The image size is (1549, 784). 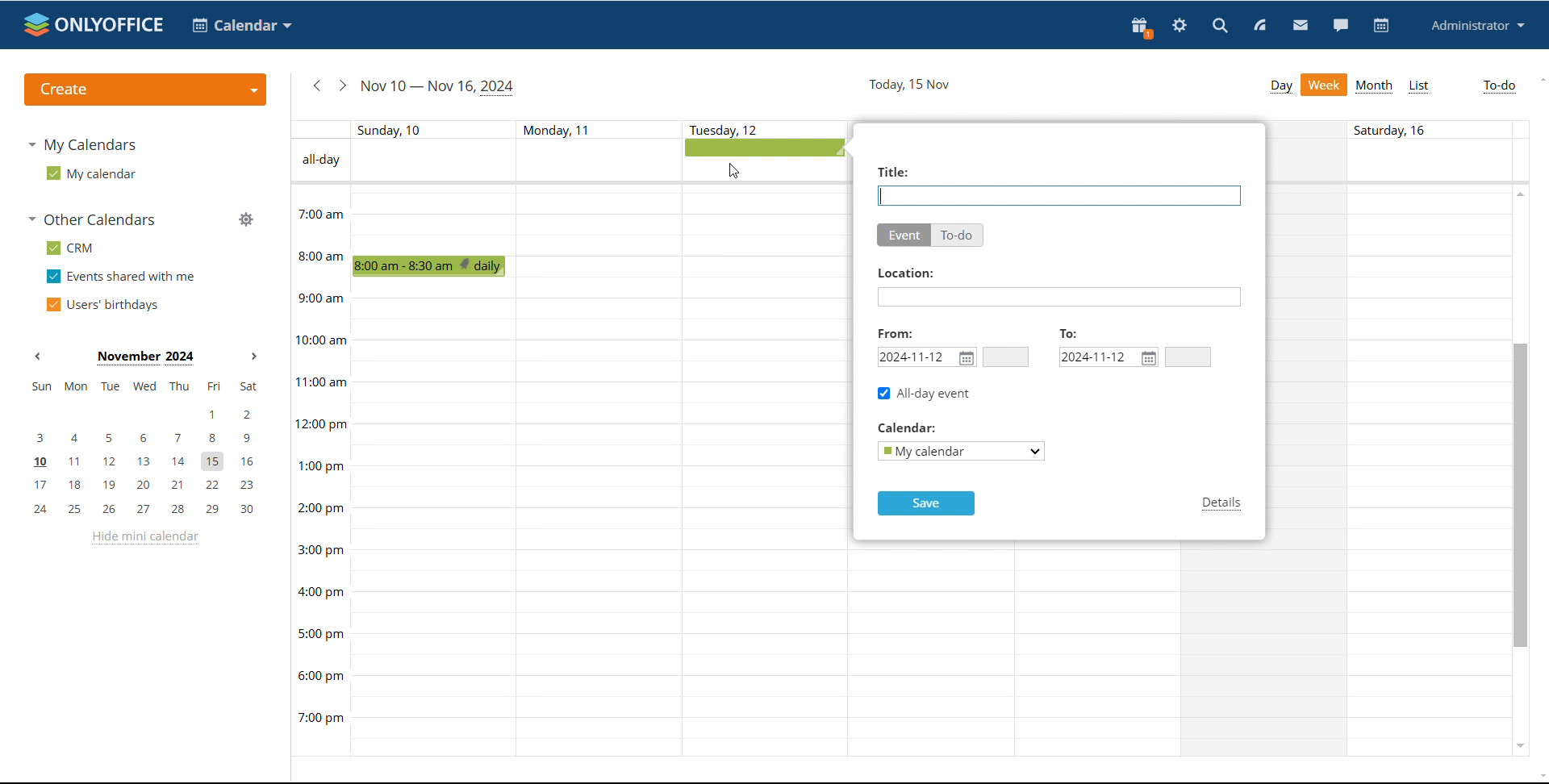 What do you see at coordinates (908, 84) in the screenshot?
I see `current date` at bounding box center [908, 84].